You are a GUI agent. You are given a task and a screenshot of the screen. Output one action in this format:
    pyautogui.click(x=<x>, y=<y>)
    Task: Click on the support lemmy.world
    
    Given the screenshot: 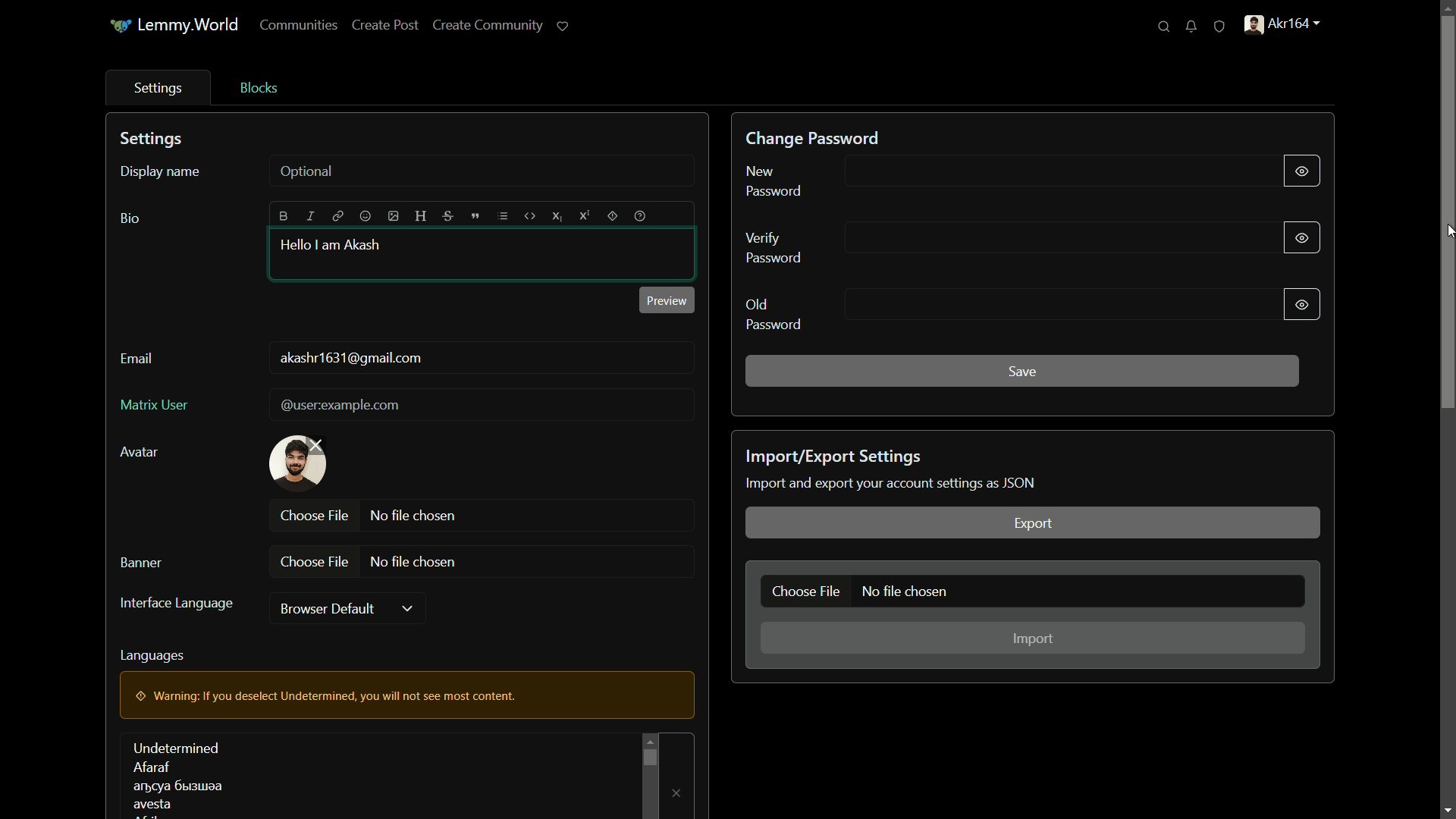 What is the action you would take?
    pyautogui.click(x=563, y=24)
    